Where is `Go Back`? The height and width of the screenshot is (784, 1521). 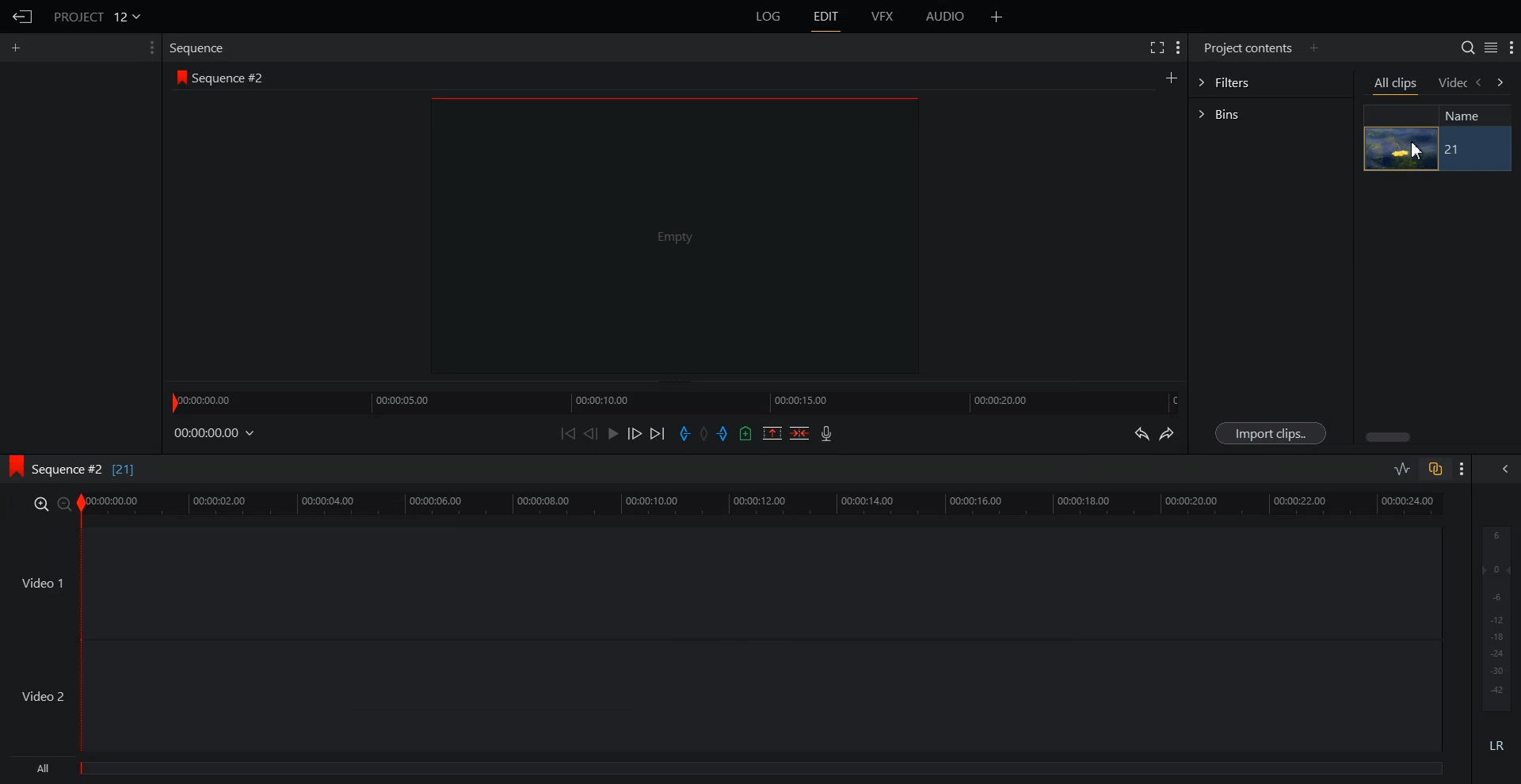 Go Back is located at coordinates (24, 17).